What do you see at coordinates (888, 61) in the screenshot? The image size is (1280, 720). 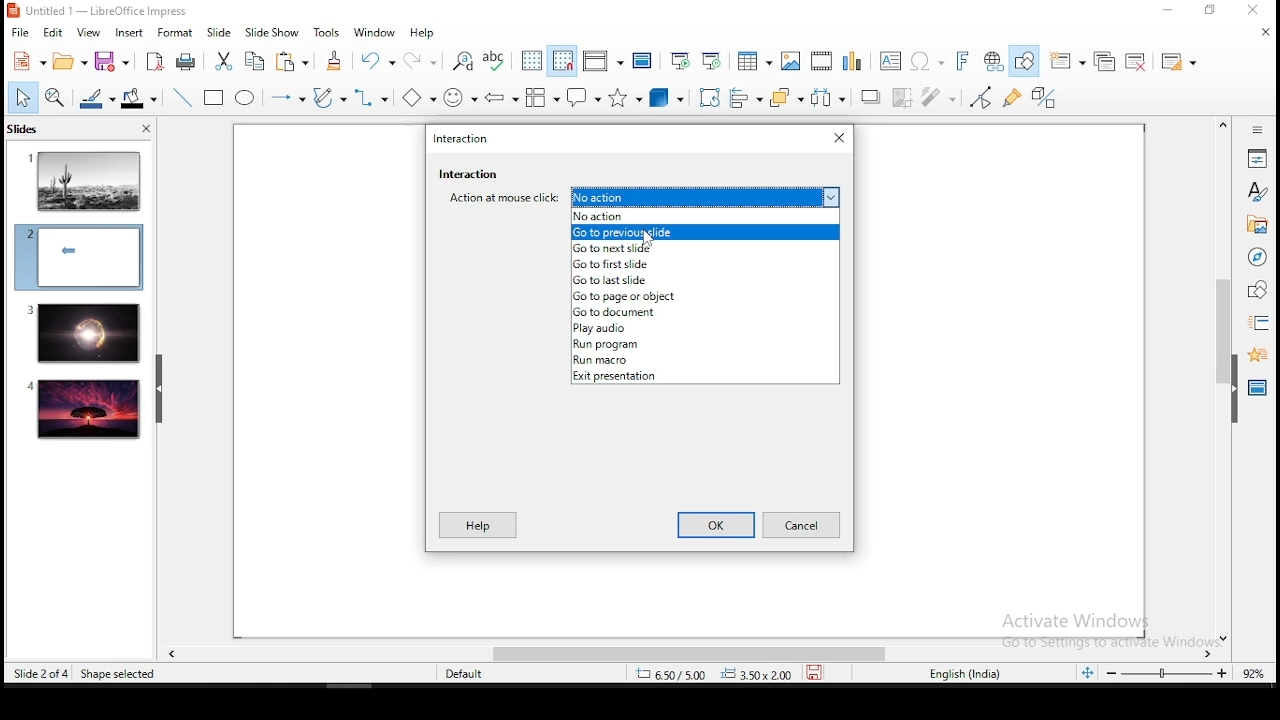 I see `text box` at bounding box center [888, 61].